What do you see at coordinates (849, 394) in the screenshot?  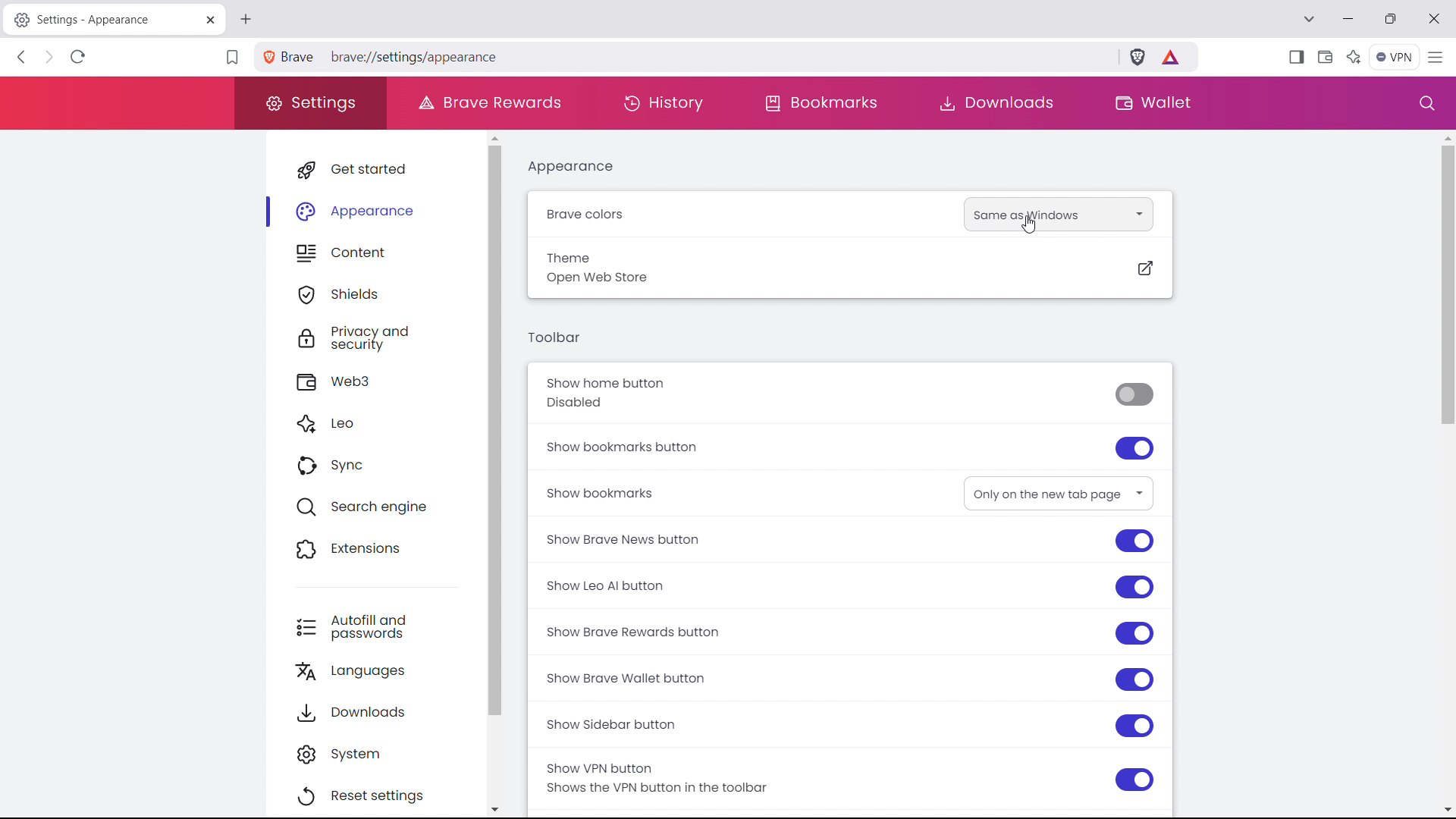 I see `show home button Disabled` at bounding box center [849, 394].